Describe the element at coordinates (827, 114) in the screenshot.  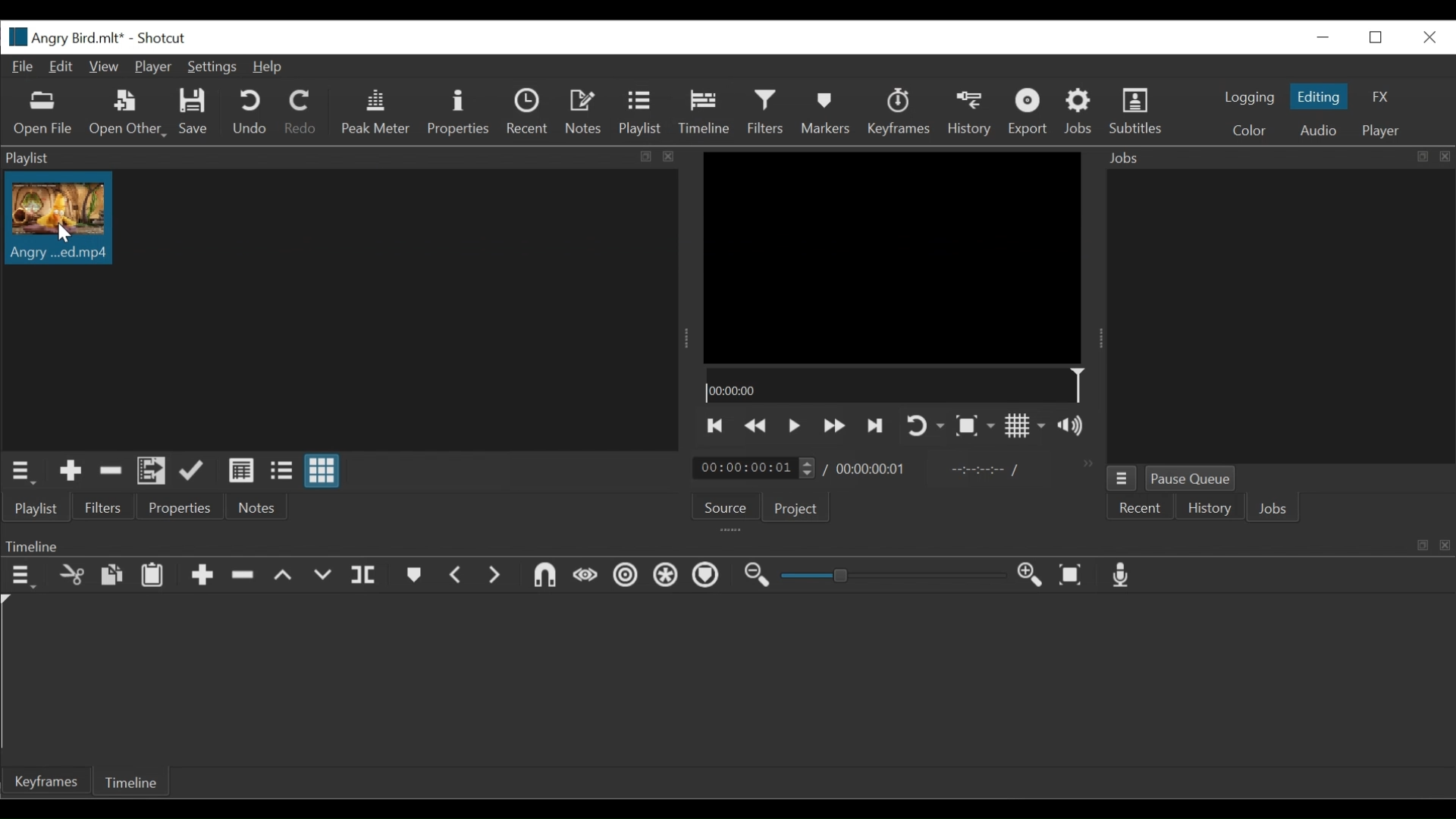
I see `Markers` at that location.